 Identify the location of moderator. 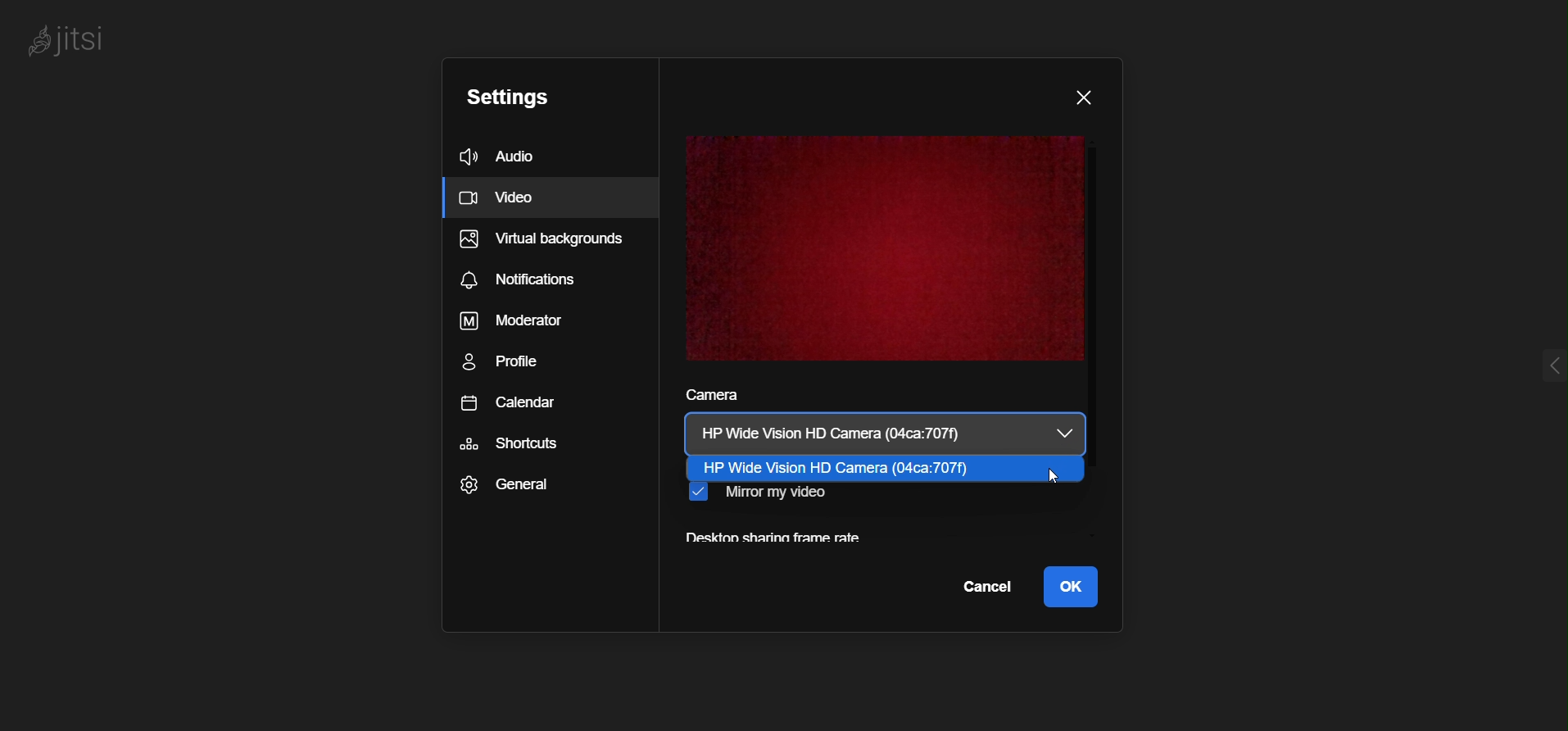
(524, 323).